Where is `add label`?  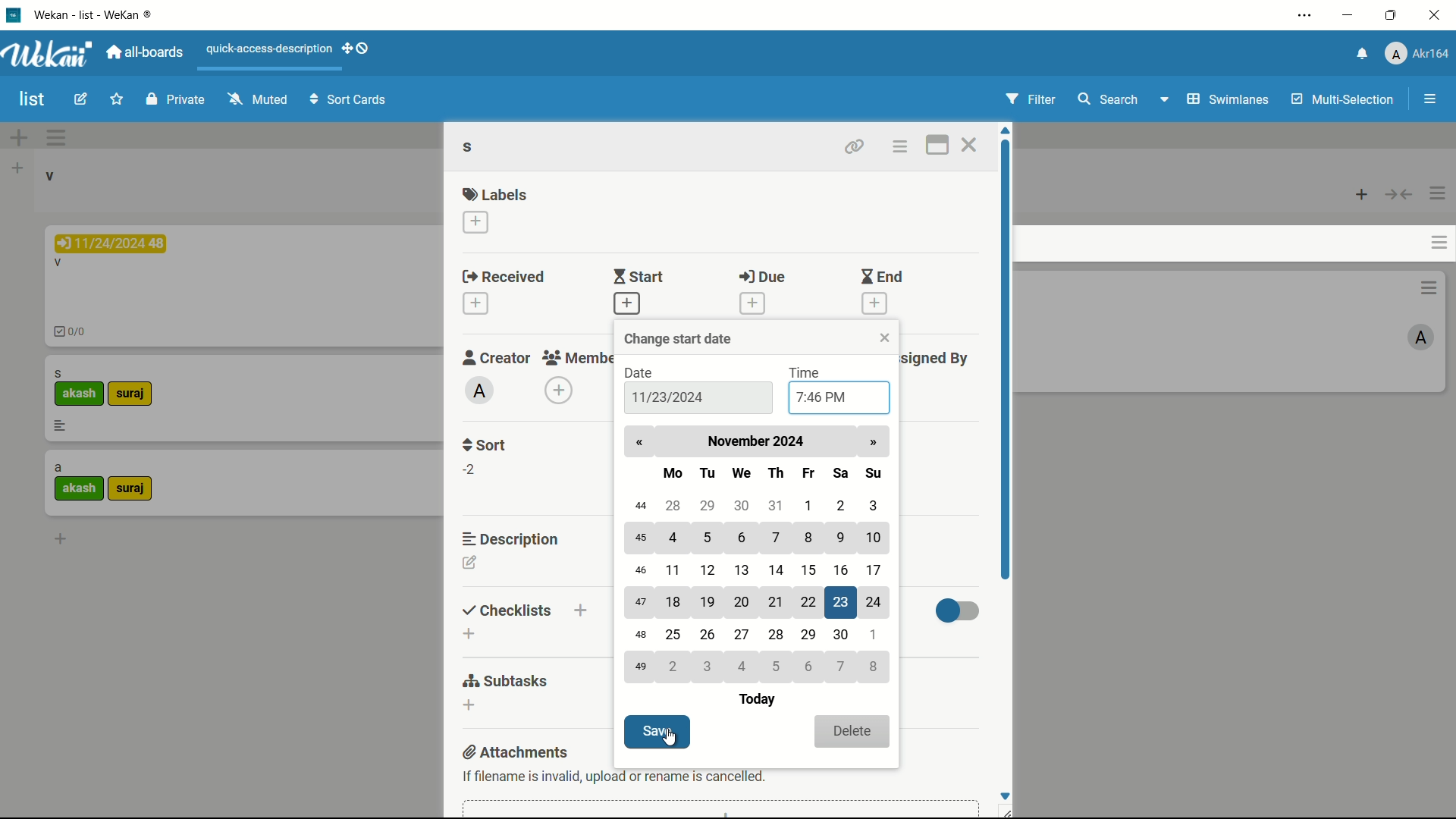
add label is located at coordinates (476, 221).